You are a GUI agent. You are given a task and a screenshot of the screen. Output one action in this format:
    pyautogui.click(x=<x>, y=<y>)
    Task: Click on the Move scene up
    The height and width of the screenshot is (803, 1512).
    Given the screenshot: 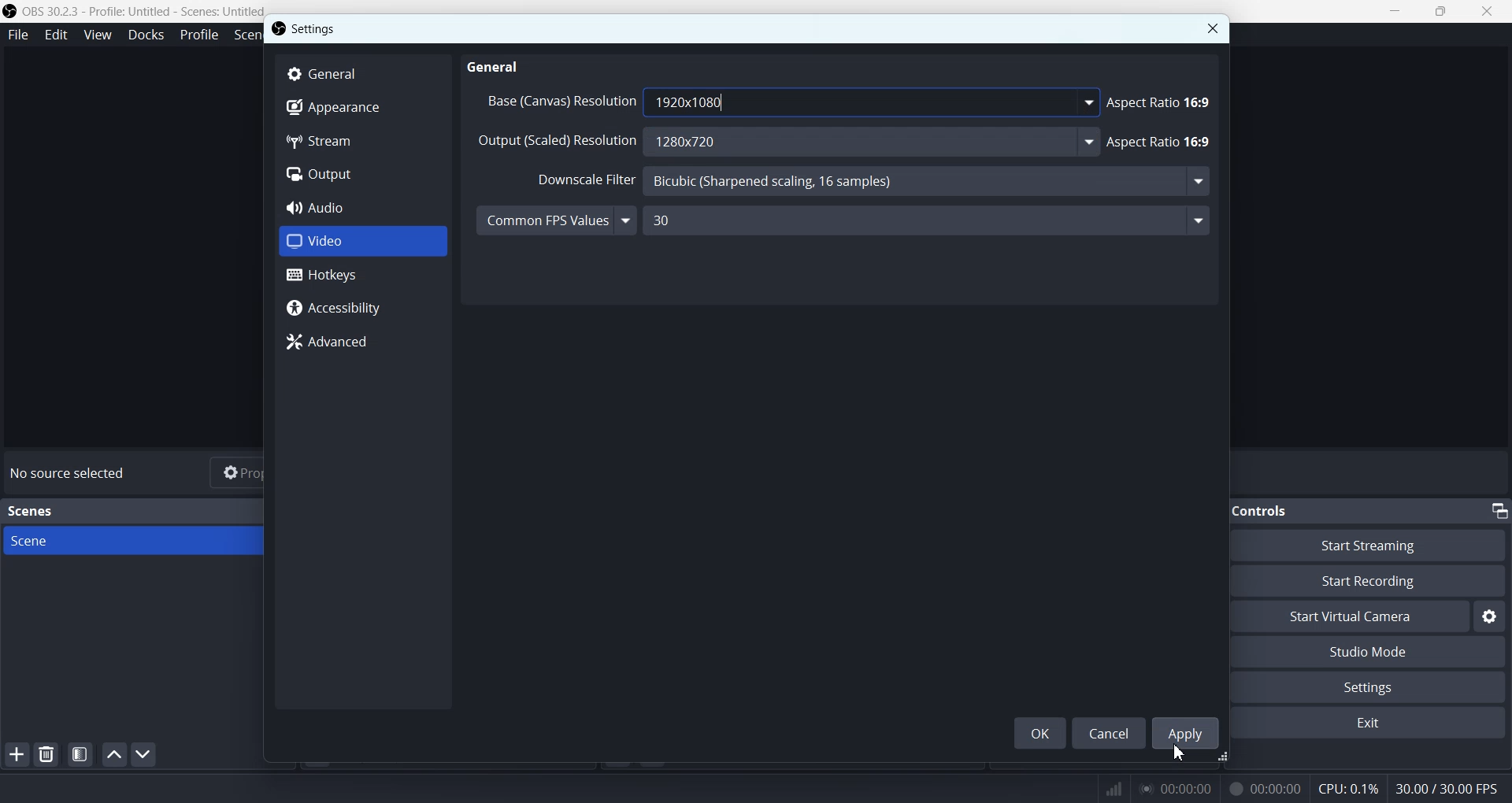 What is the action you would take?
    pyautogui.click(x=114, y=754)
    